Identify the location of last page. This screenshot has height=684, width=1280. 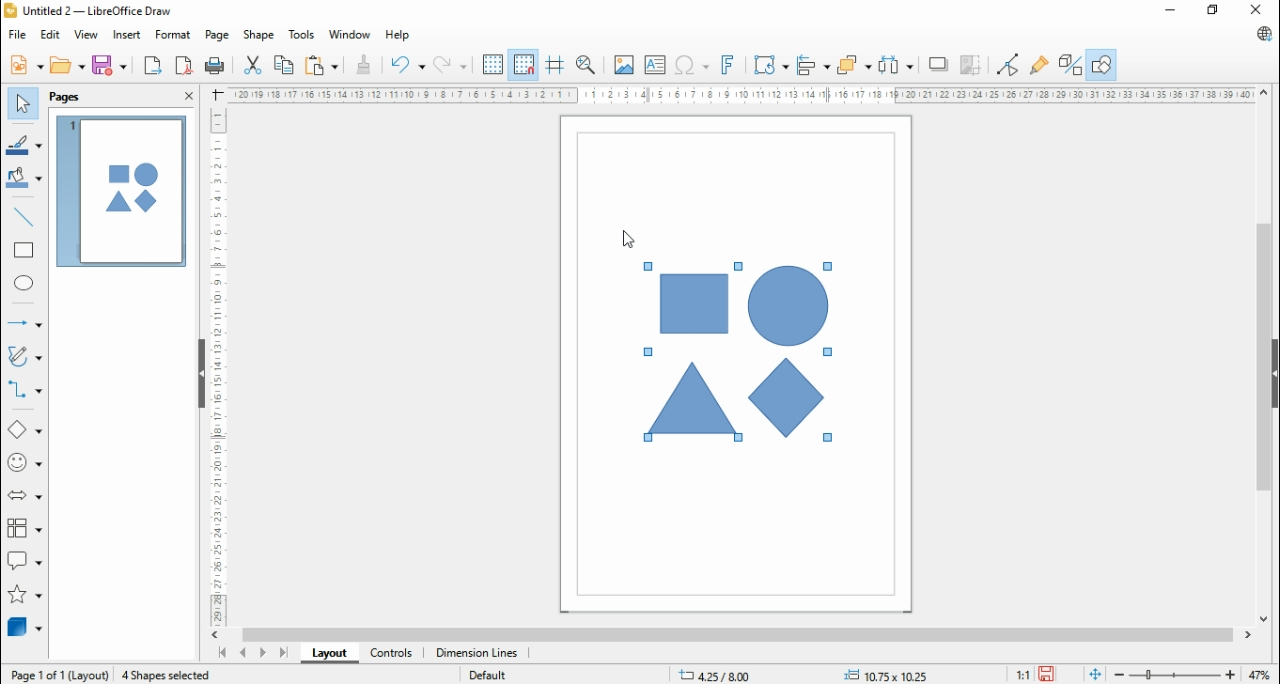
(283, 653).